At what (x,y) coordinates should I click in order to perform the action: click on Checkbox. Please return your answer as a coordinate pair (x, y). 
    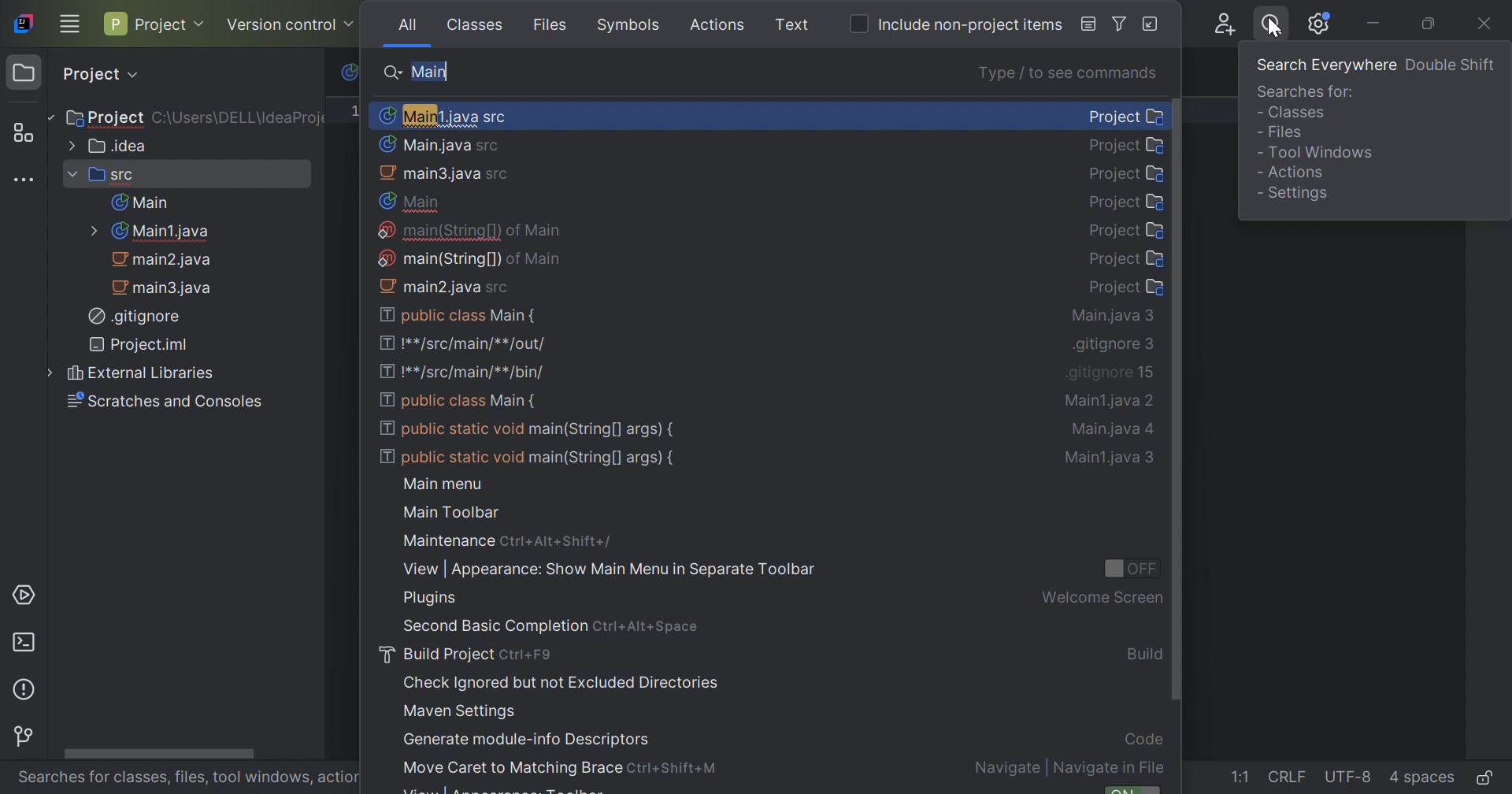
    Looking at the image, I should click on (860, 22).